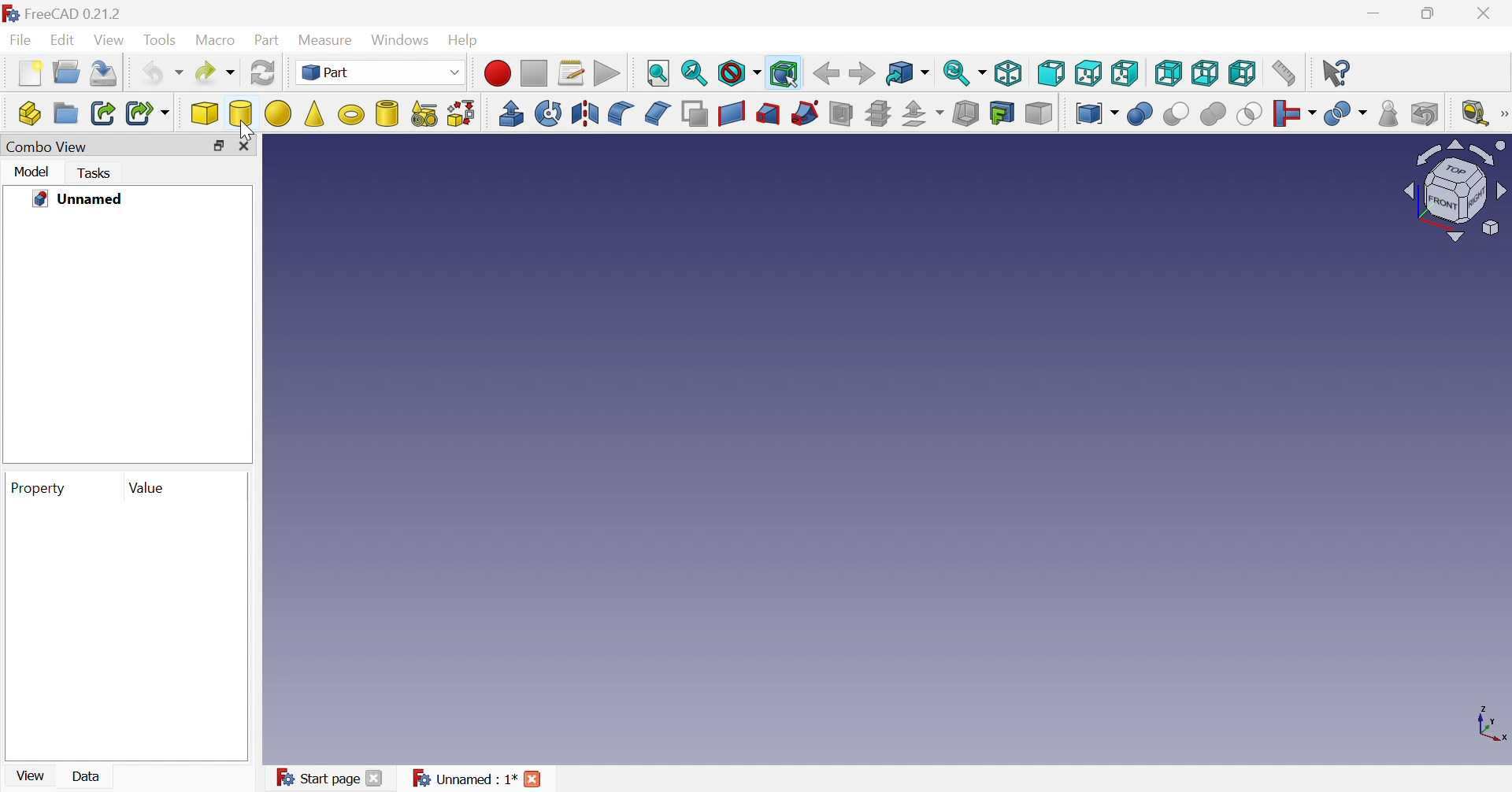 Image resolution: width=1512 pixels, height=792 pixels. What do you see at coordinates (66, 72) in the screenshot?
I see `Open...` at bounding box center [66, 72].